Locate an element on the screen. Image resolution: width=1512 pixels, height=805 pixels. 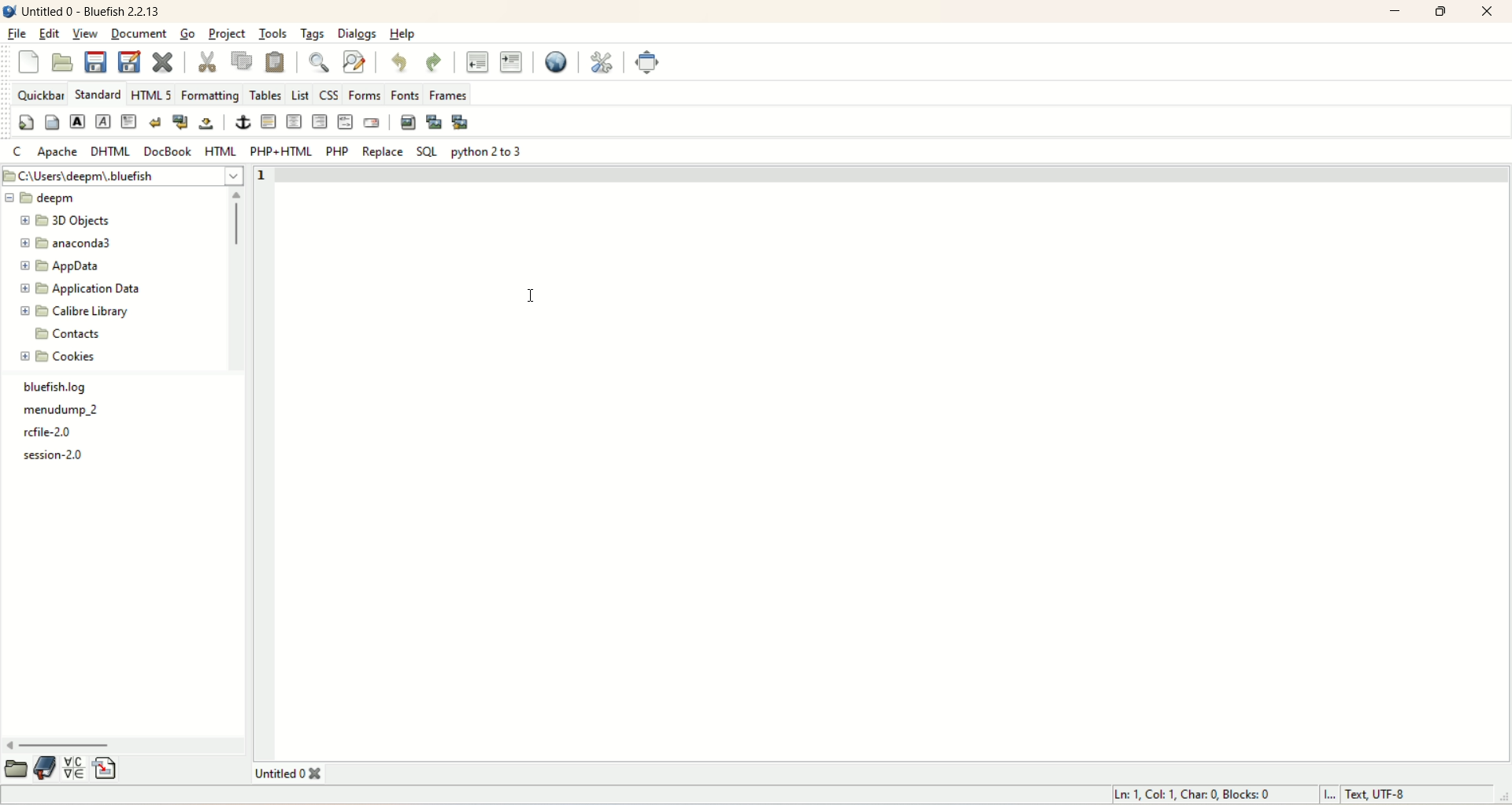
fonts is located at coordinates (404, 95).